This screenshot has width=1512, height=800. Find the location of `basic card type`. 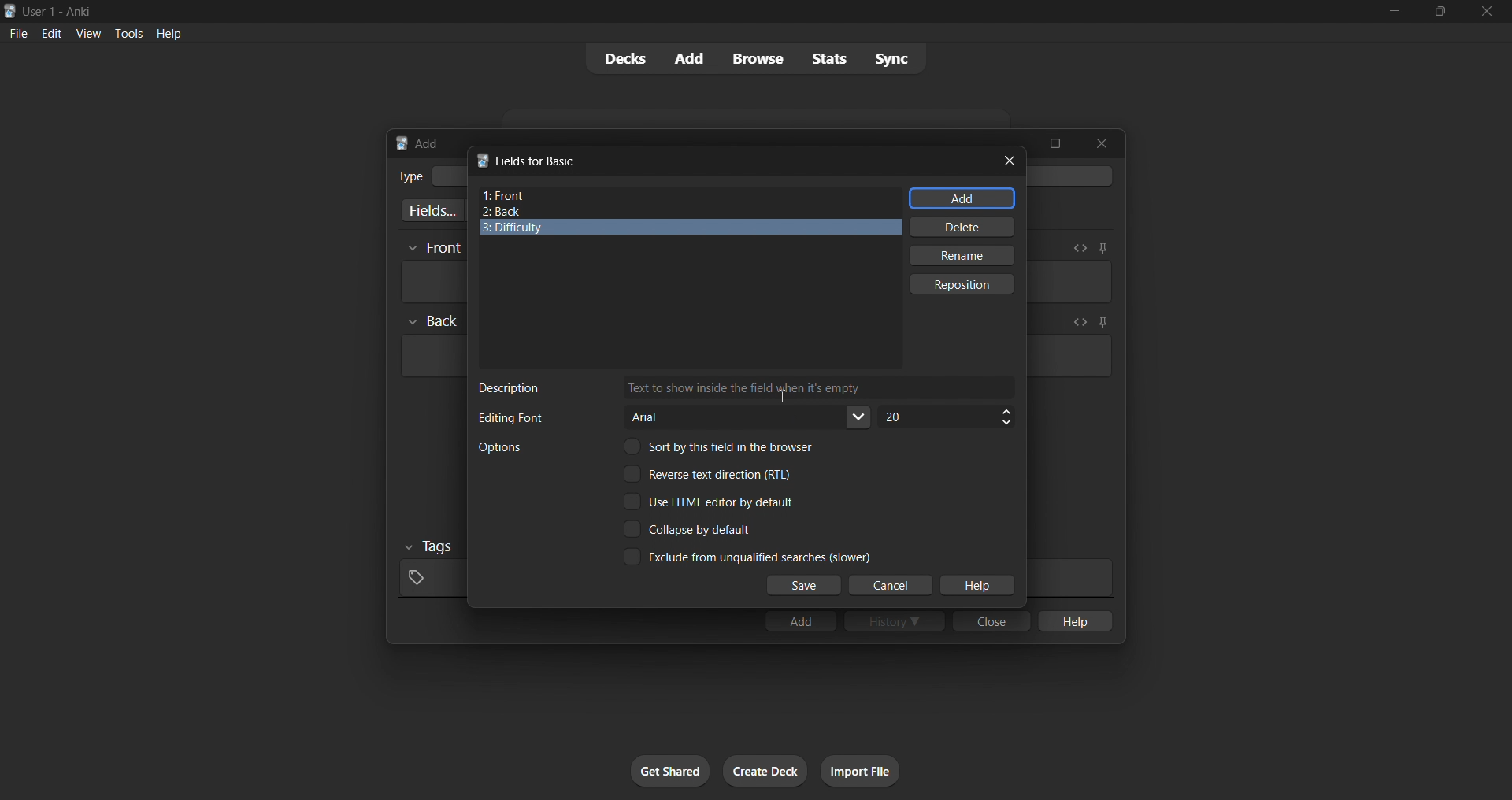

basic card type is located at coordinates (448, 176).